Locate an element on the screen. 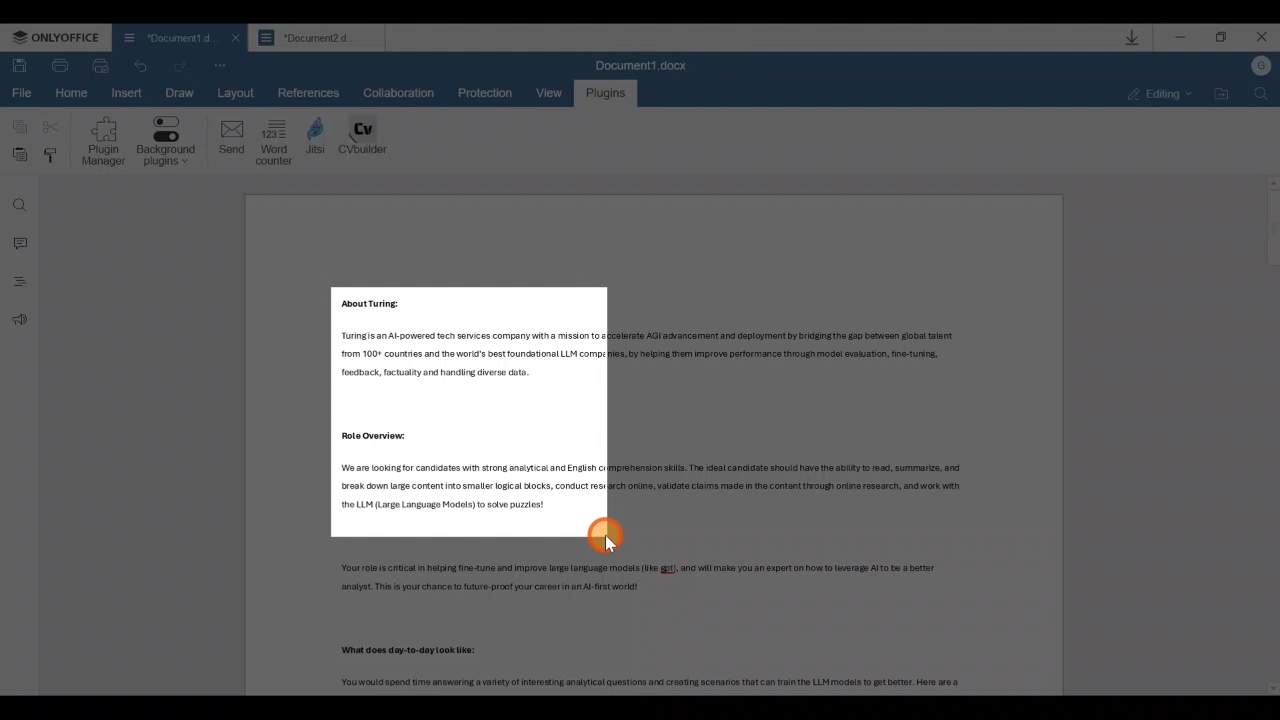  Close is located at coordinates (232, 38).